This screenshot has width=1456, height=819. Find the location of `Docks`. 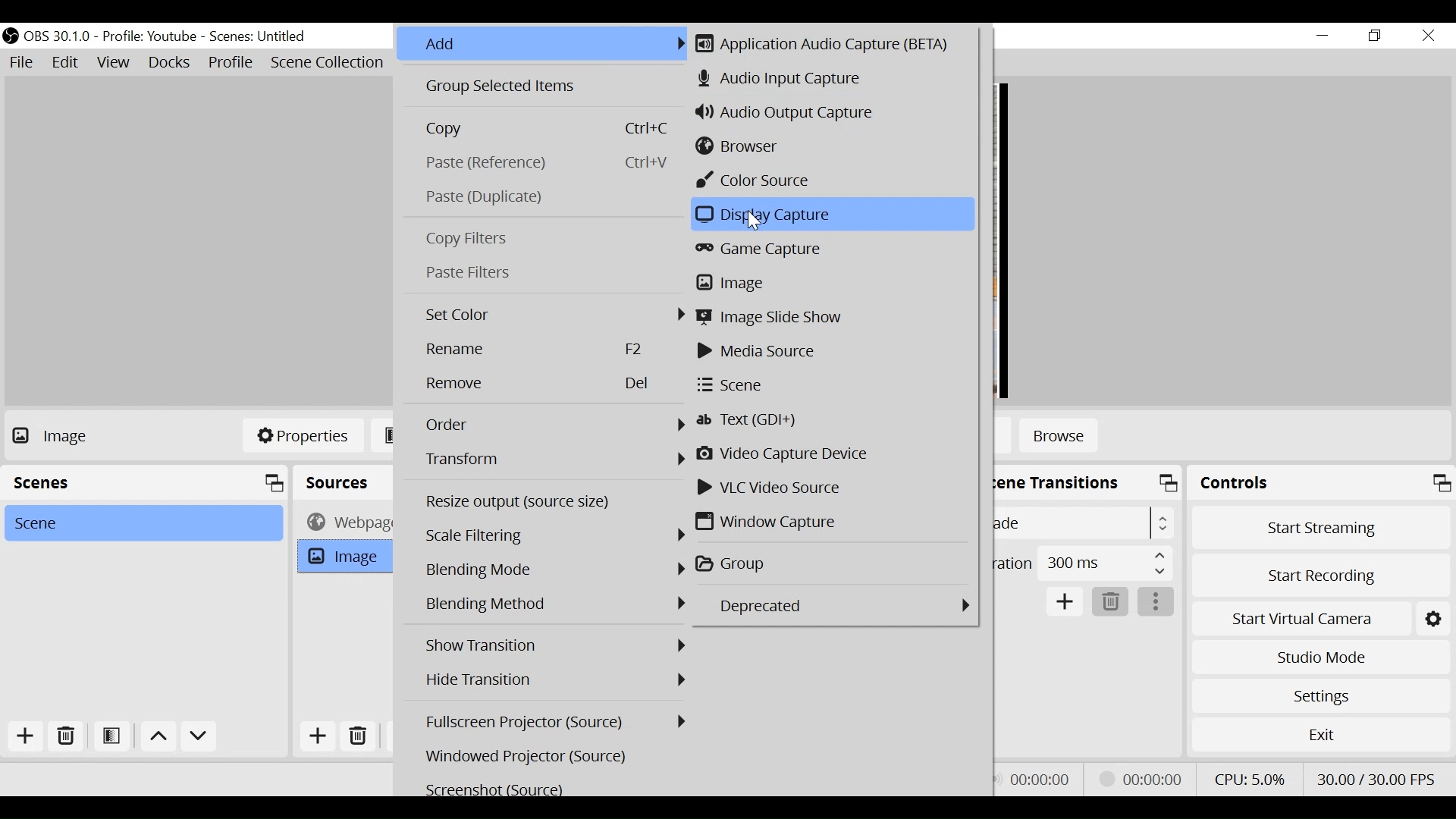

Docks is located at coordinates (171, 63).